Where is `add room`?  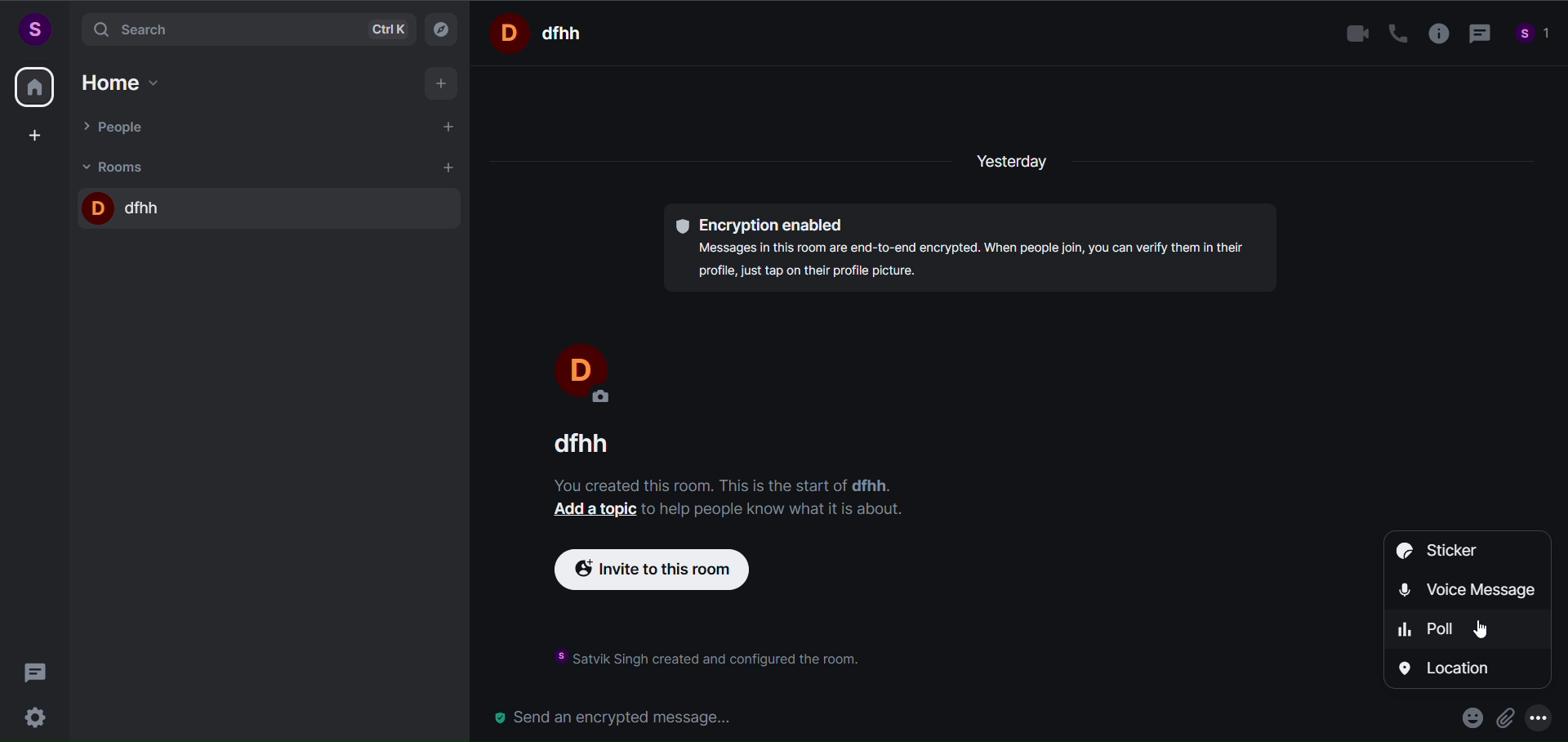
add room is located at coordinates (451, 168).